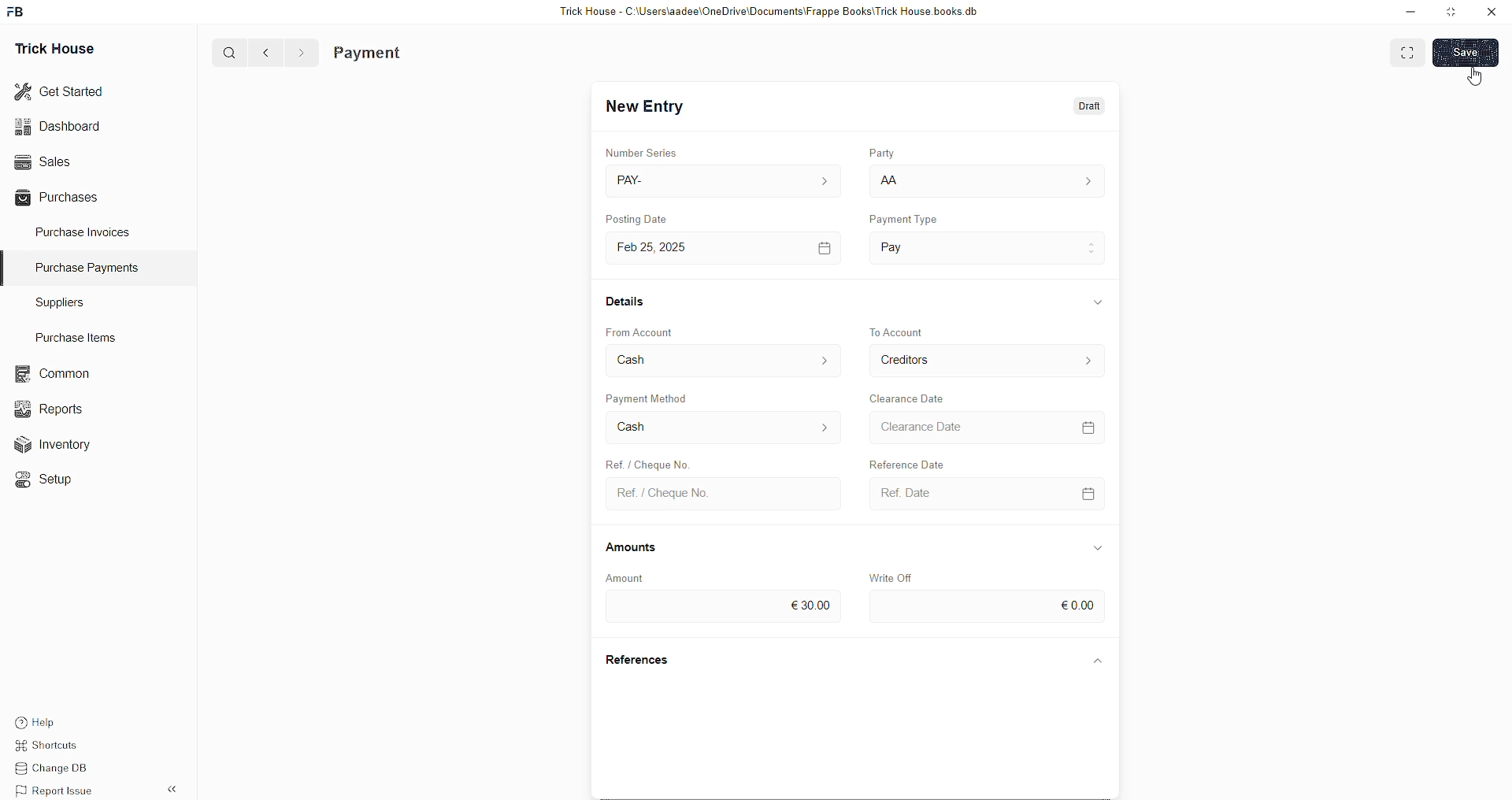 The height and width of the screenshot is (800, 1512). What do you see at coordinates (772, 12) in the screenshot?
I see `Trick House - C:\Users\aadee\OneDrive\Documents\Frappe Books\Trick House books.db` at bounding box center [772, 12].